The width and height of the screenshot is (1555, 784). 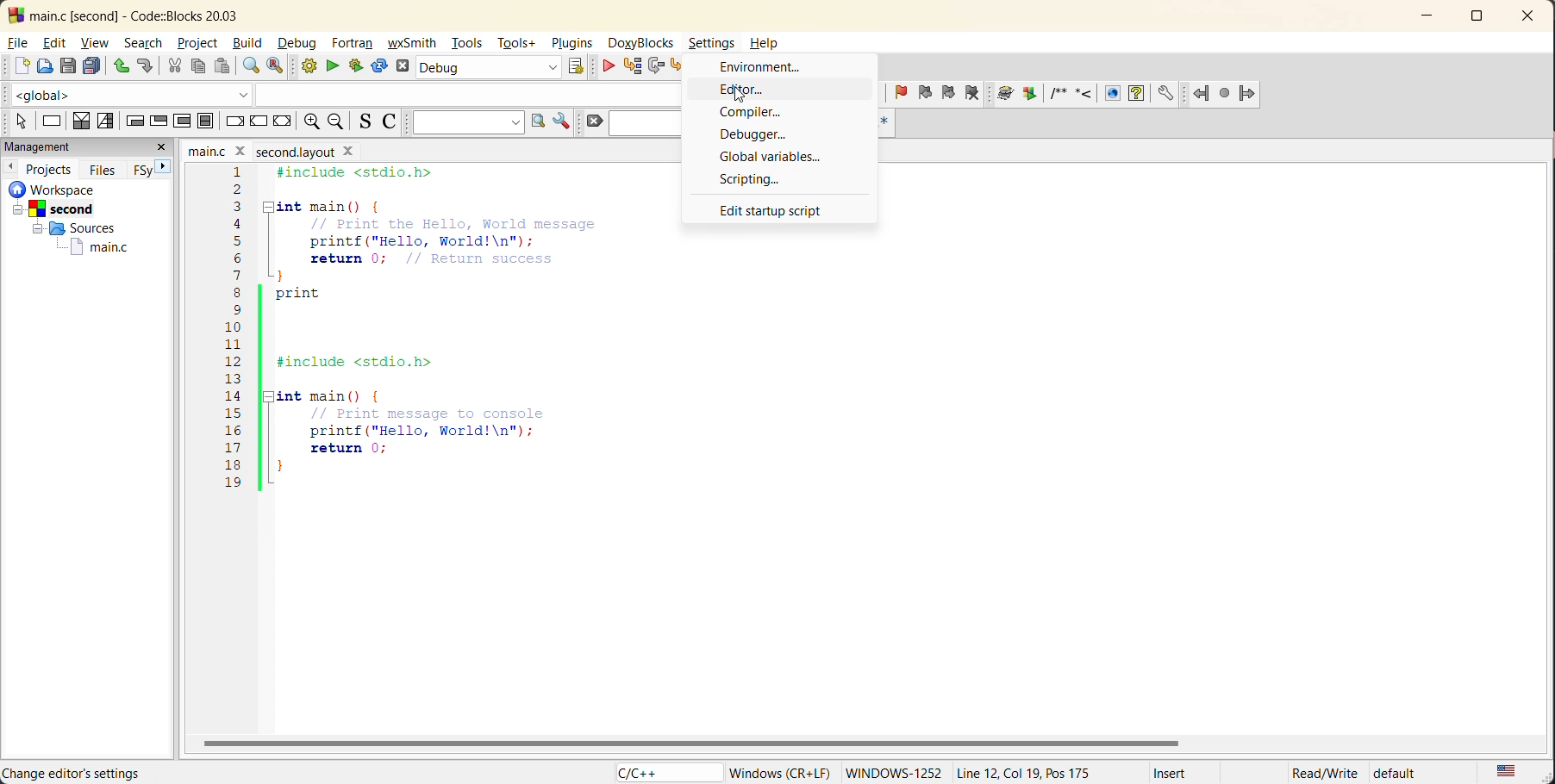 I want to click on build, so click(x=250, y=45).